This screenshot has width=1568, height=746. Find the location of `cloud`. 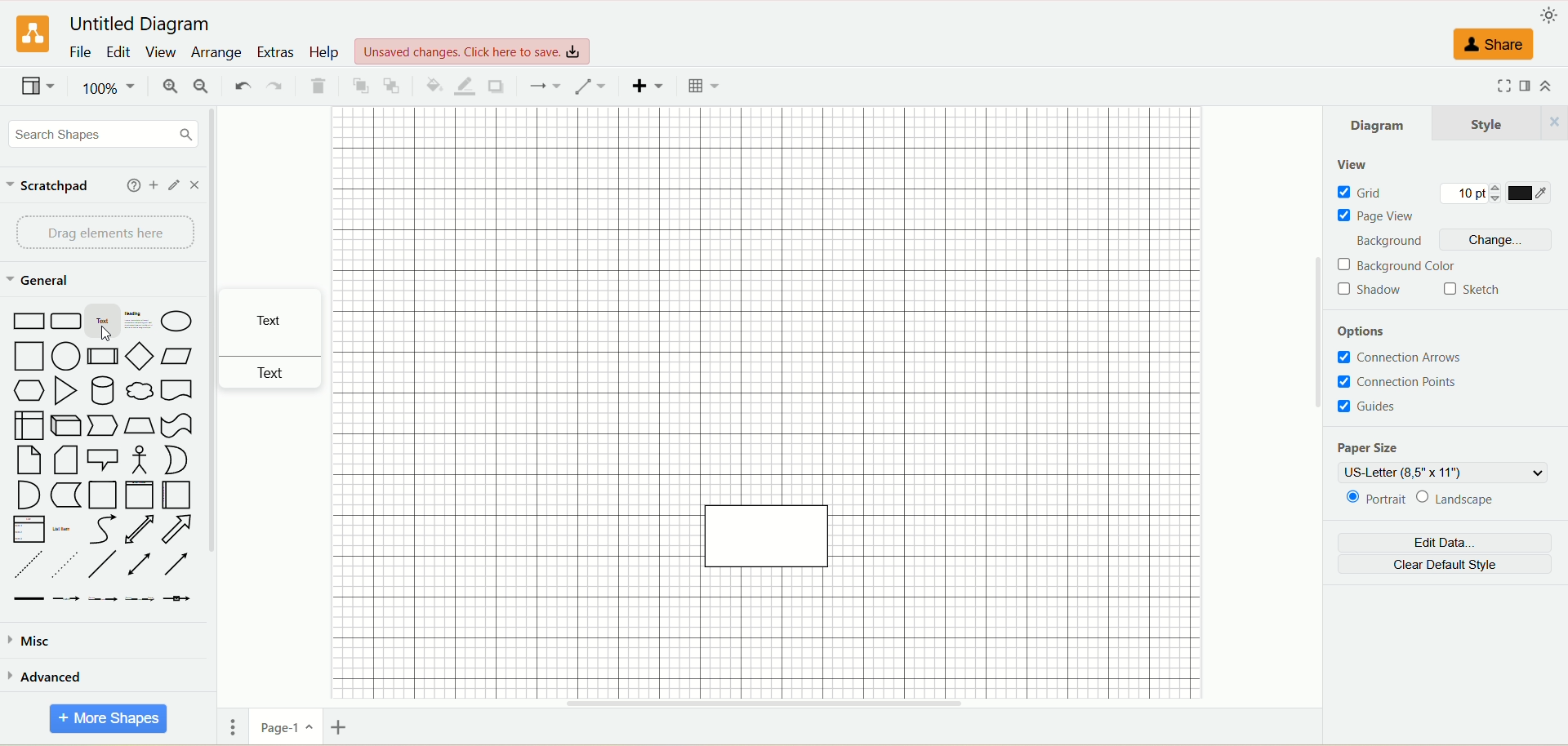

cloud is located at coordinates (140, 390).